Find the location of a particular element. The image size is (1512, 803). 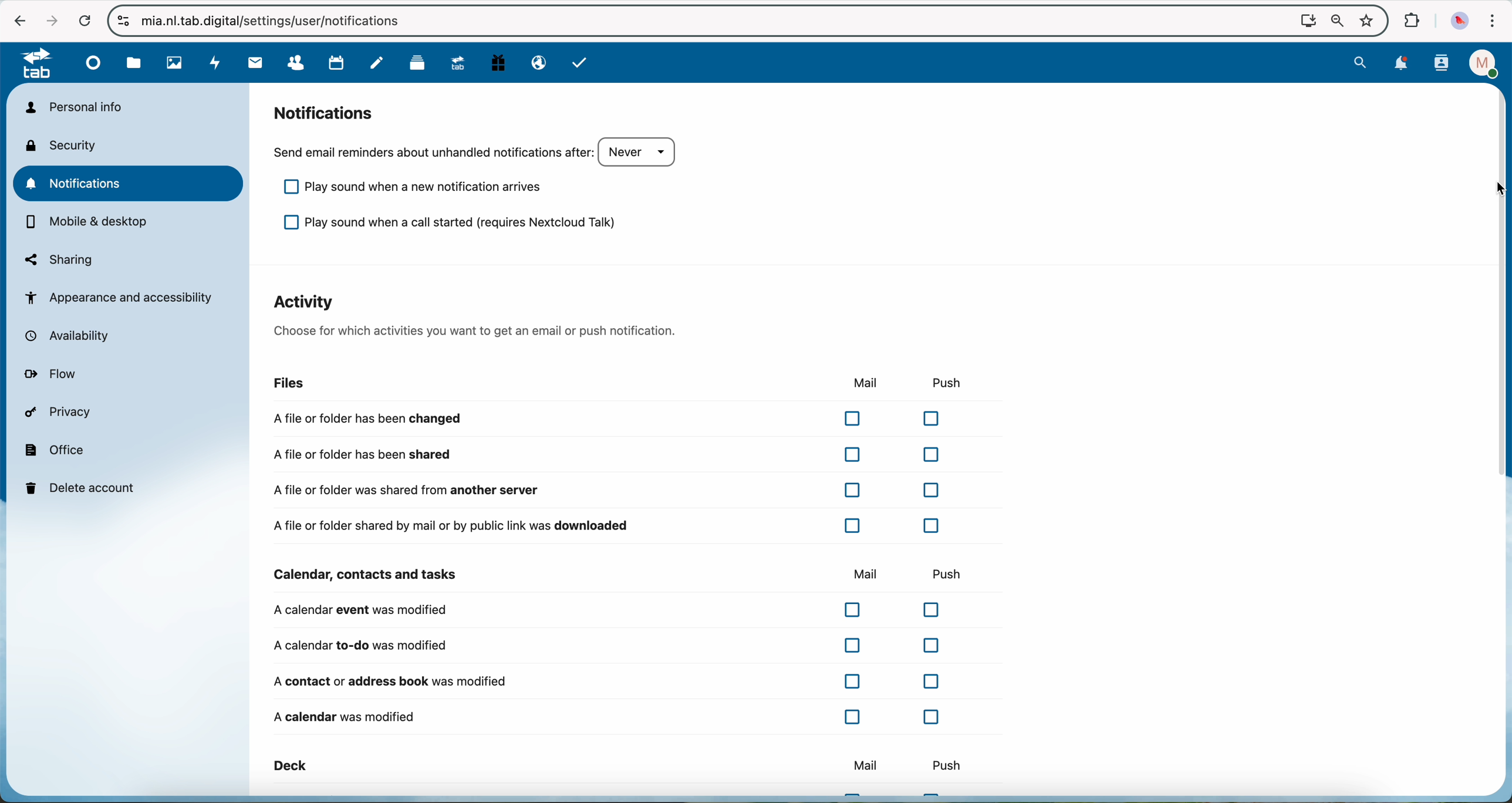

play spund when a call started is located at coordinates (443, 223).